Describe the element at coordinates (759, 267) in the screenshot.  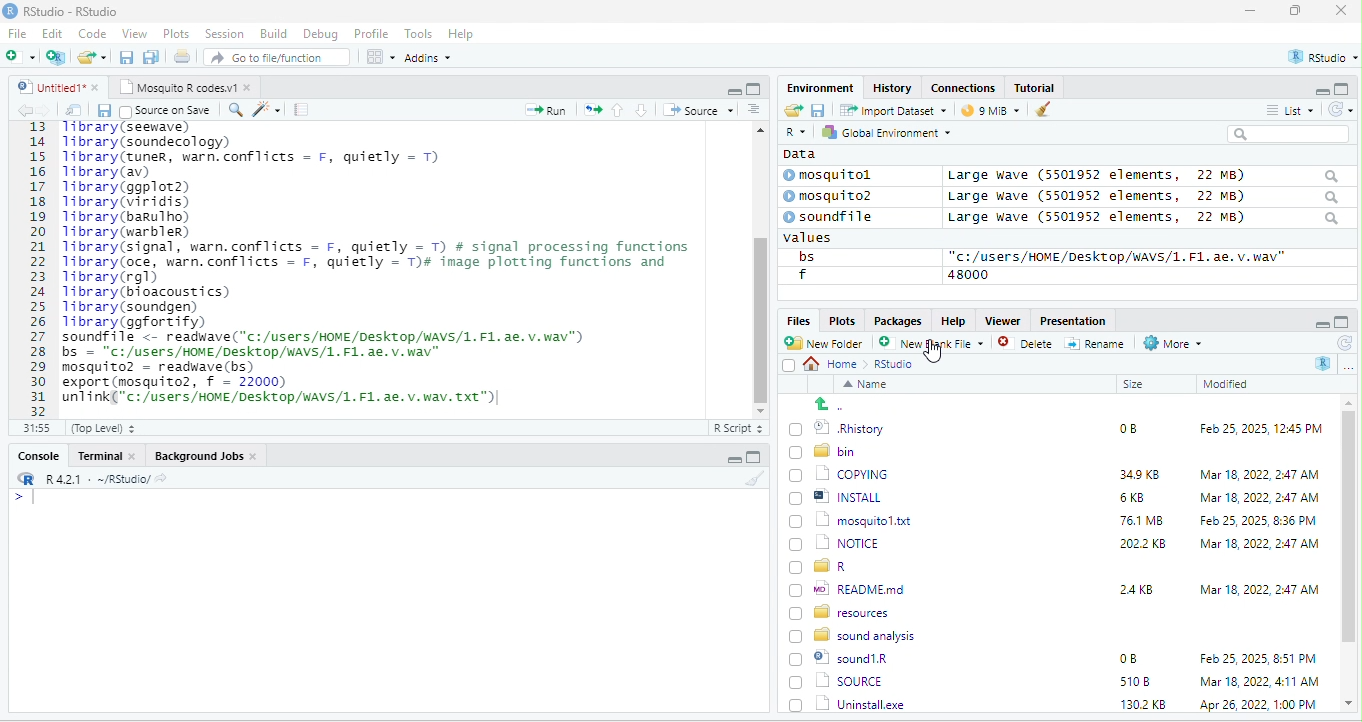
I see `scroll bar` at that location.